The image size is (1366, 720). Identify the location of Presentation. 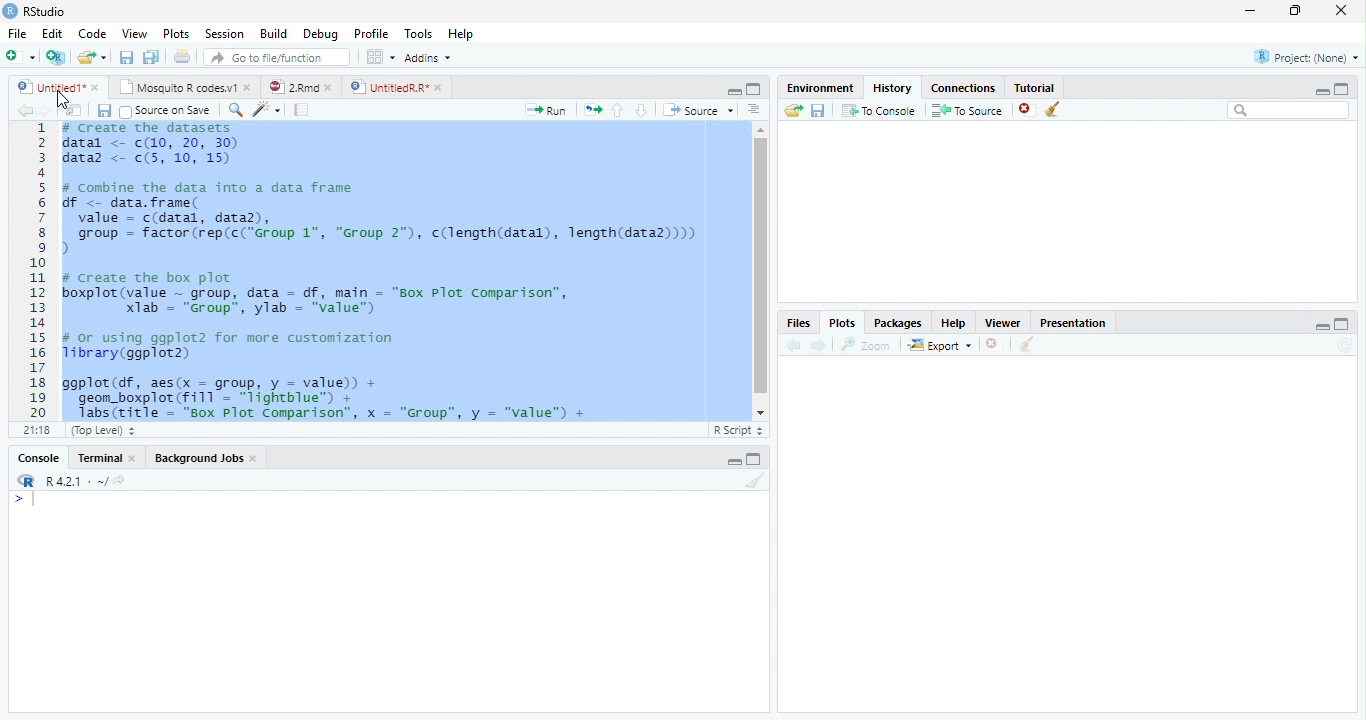
(1072, 323).